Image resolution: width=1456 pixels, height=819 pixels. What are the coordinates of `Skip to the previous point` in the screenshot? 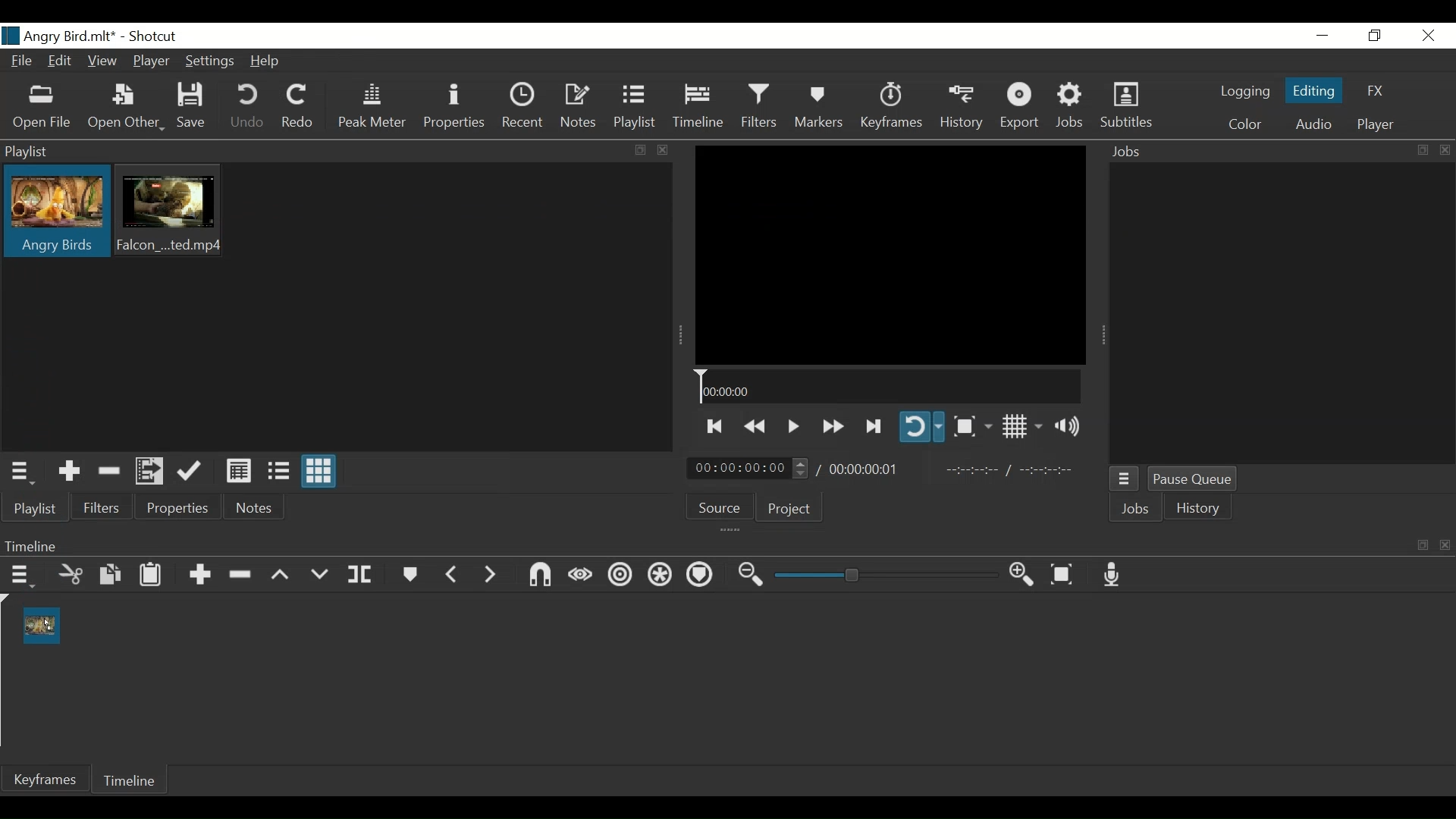 It's located at (715, 425).